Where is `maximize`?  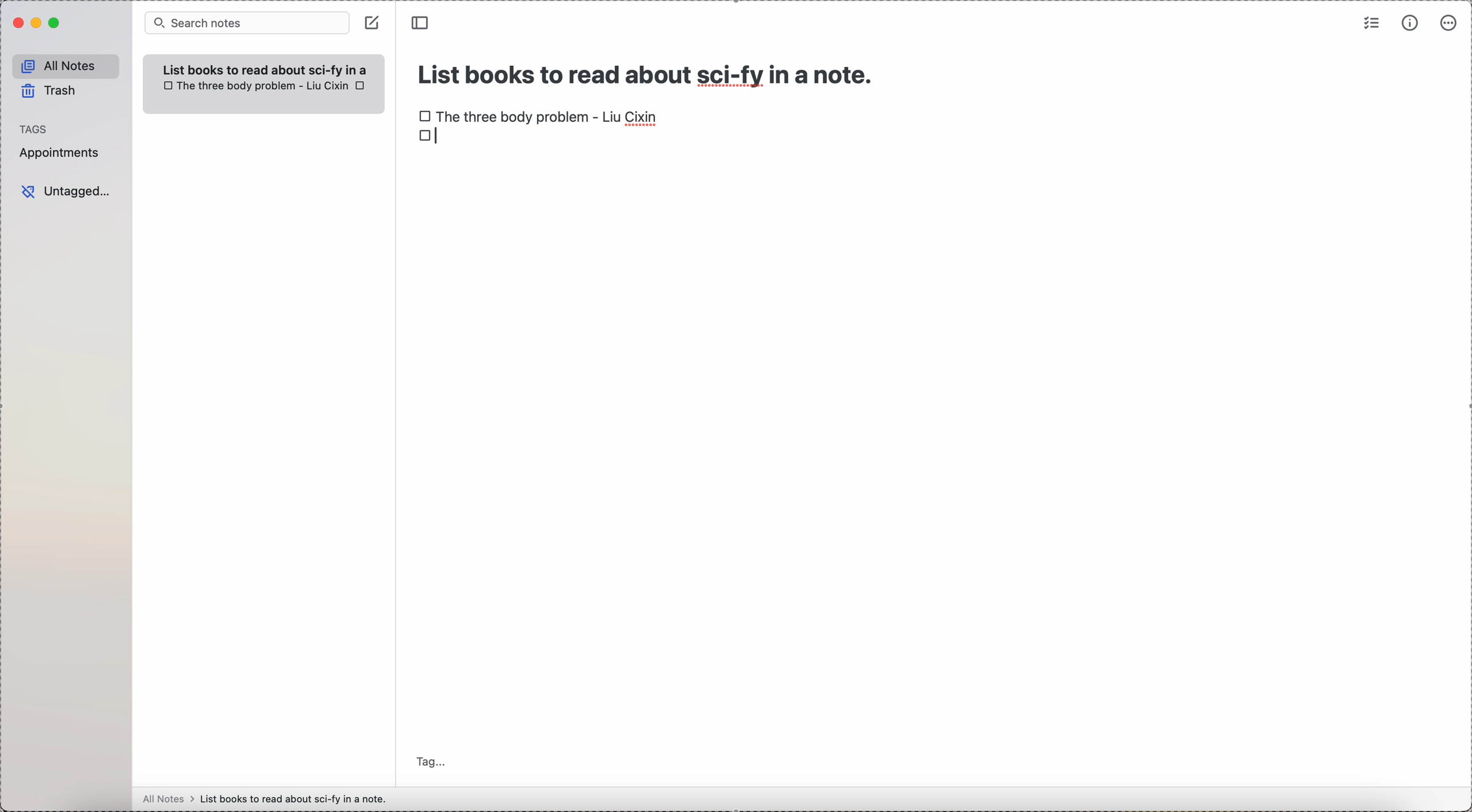 maximize is located at coordinates (54, 25).